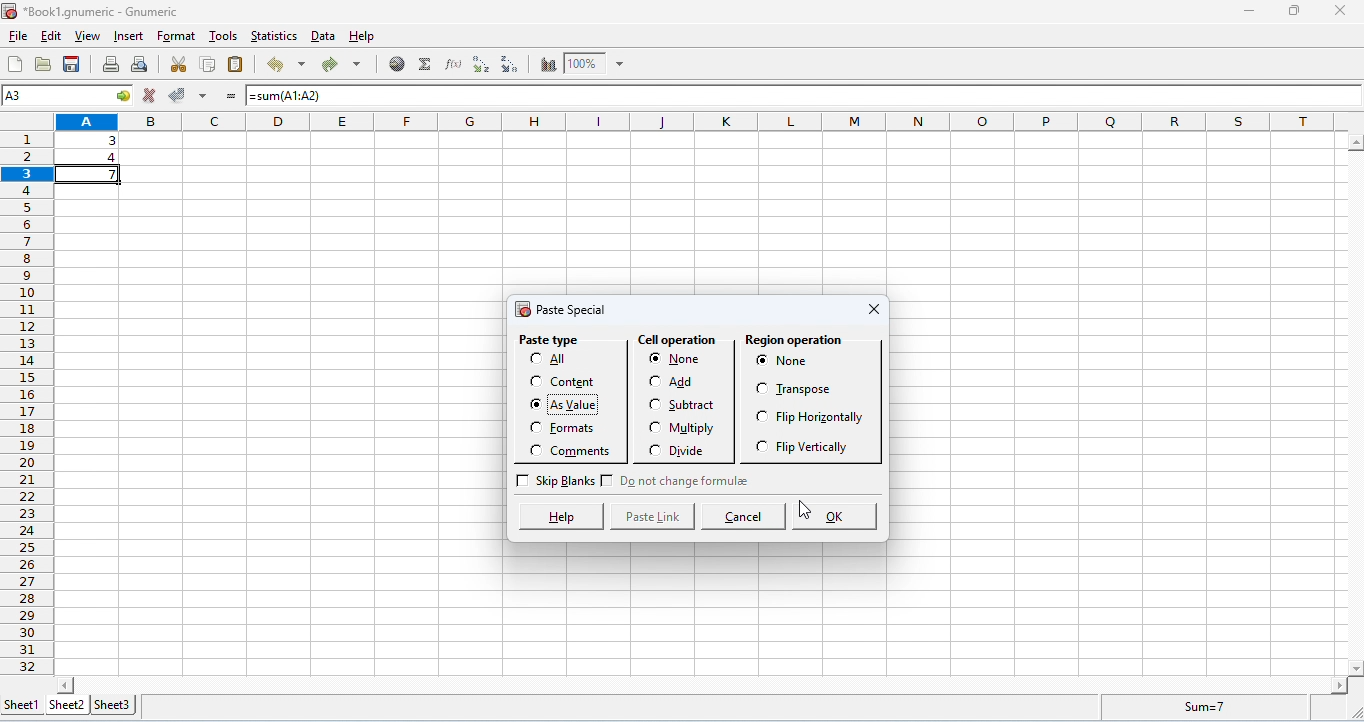 Image resolution: width=1364 pixels, height=722 pixels. I want to click on file, so click(19, 36).